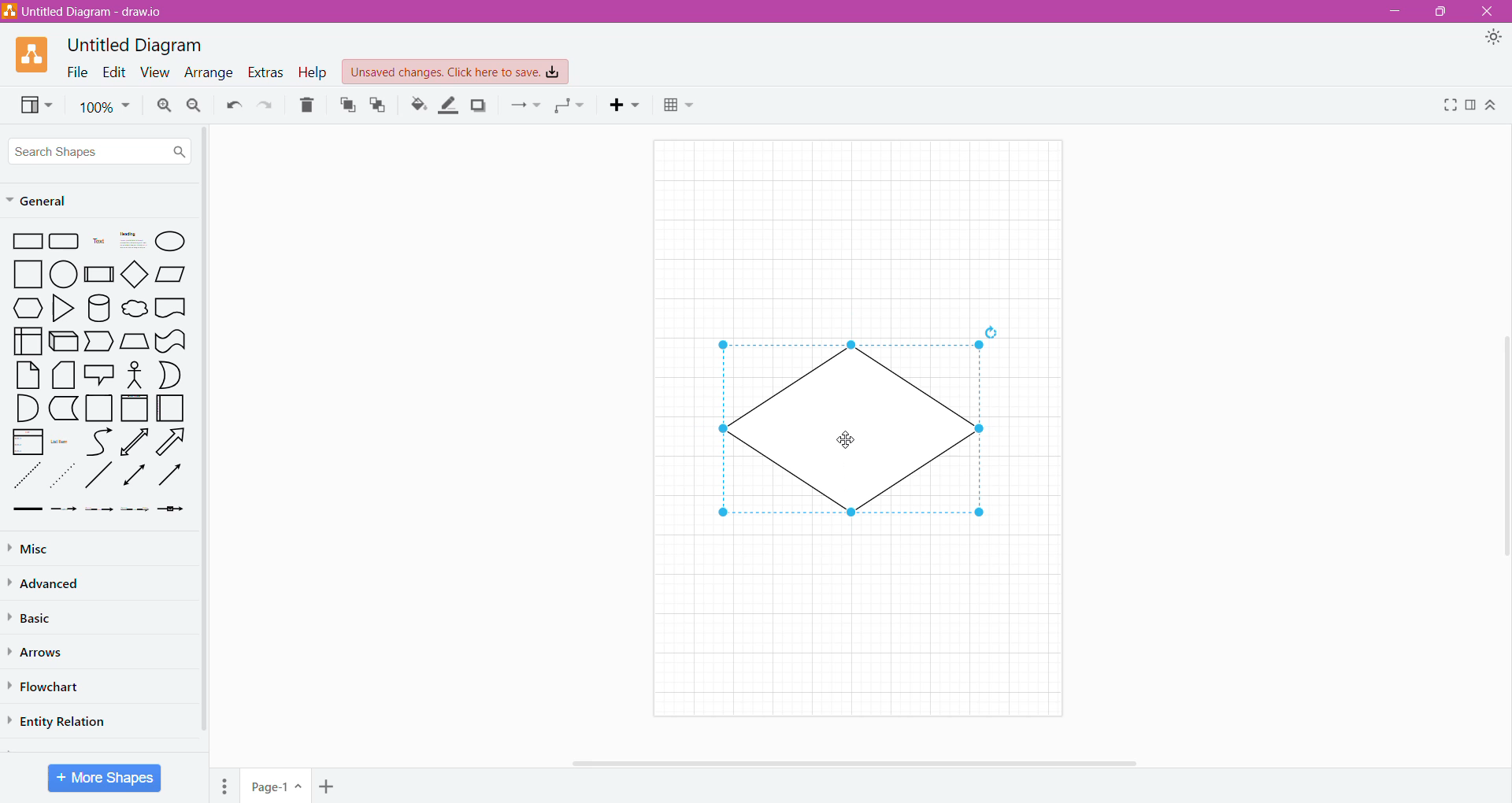 This screenshot has height=803, width=1512. I want to click on Waypoints, so click(571, 107).